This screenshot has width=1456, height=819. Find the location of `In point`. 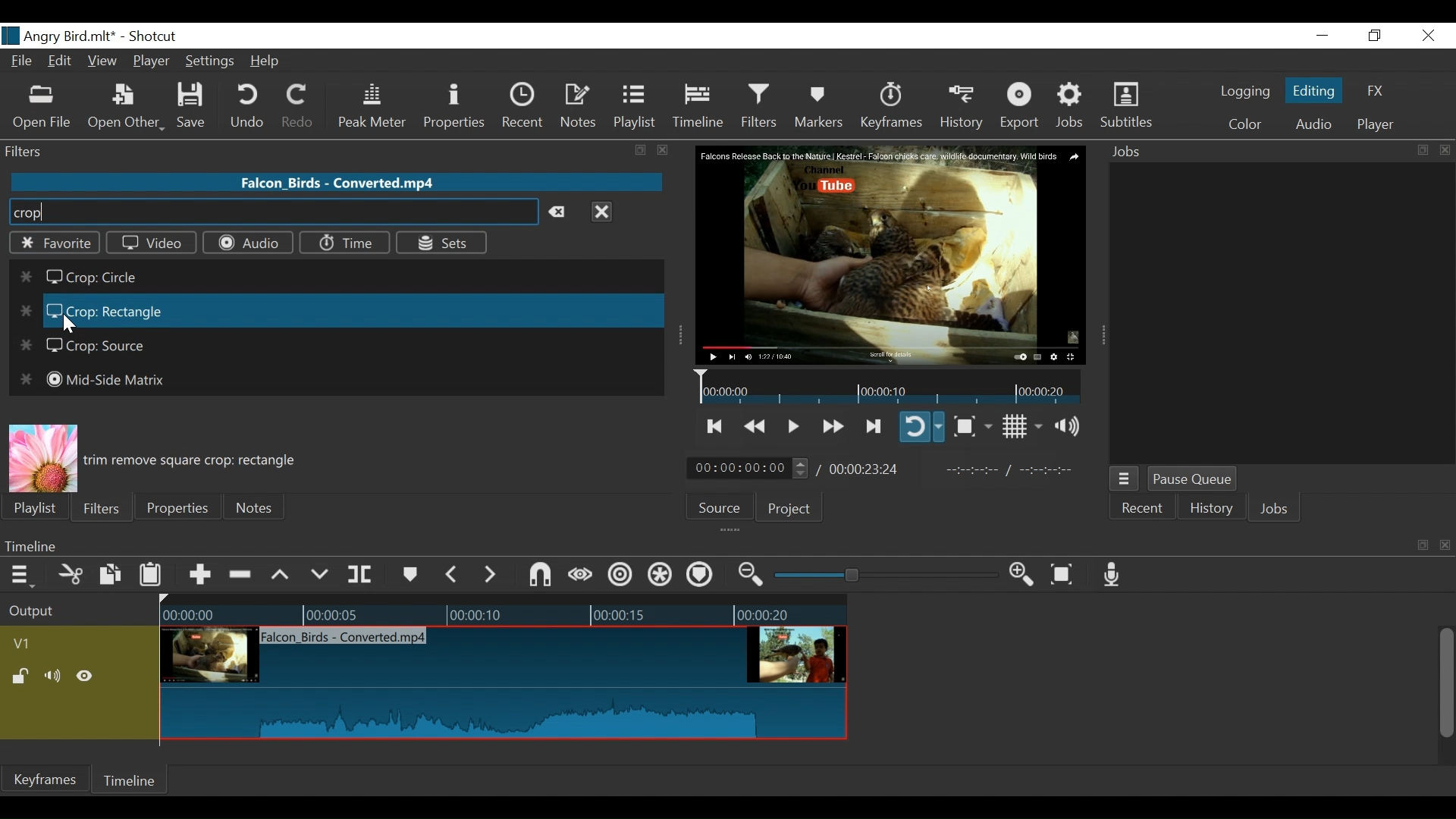

In point is located at coordinates (1015, 470).